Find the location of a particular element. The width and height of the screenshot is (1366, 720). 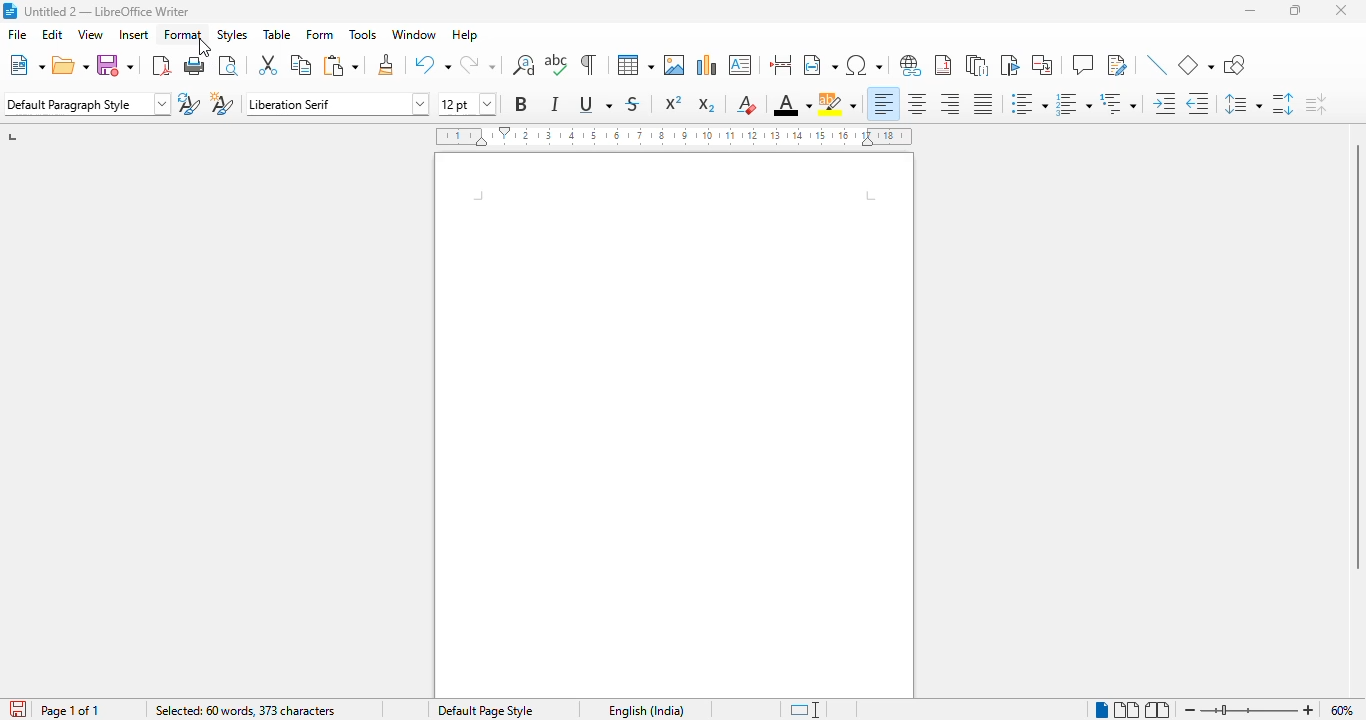

file is located at coordinates (19, 34).